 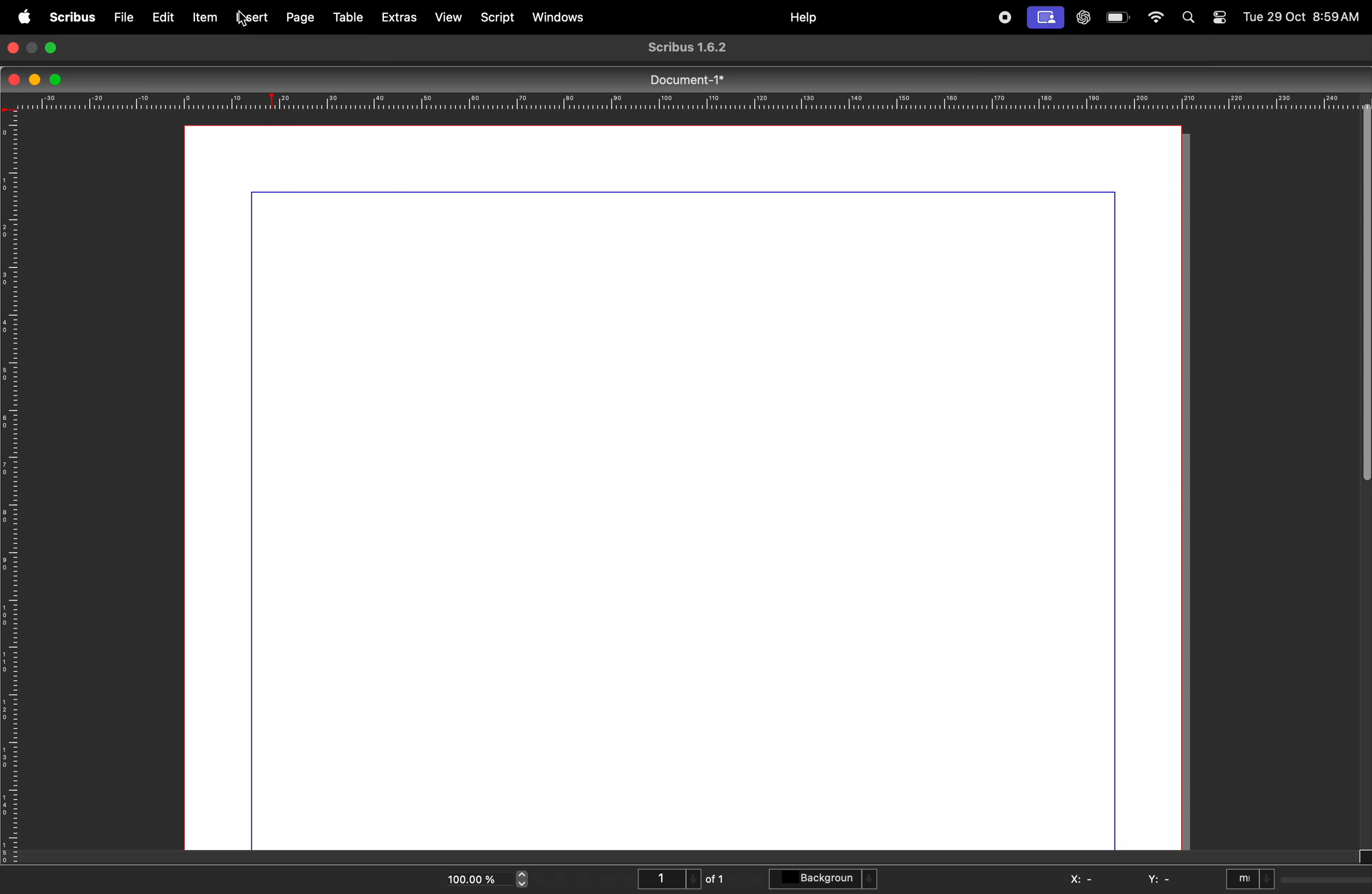 What do you see at coordinates (55, 47) in the screenshot?
I see `maximize window` at bounding box center [55, 47].